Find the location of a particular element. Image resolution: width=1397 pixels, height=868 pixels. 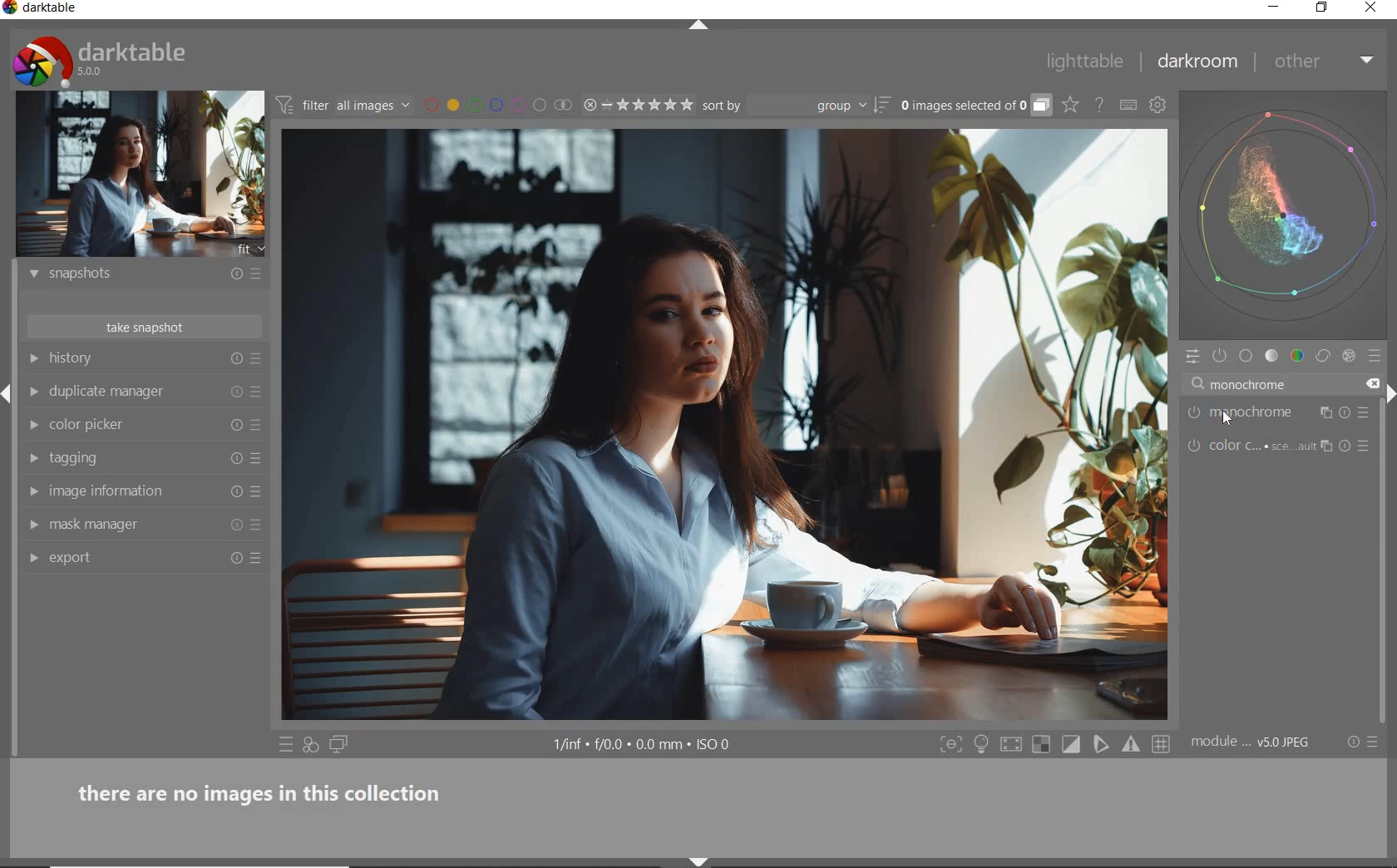

show module is located at coordinates (32, 274).